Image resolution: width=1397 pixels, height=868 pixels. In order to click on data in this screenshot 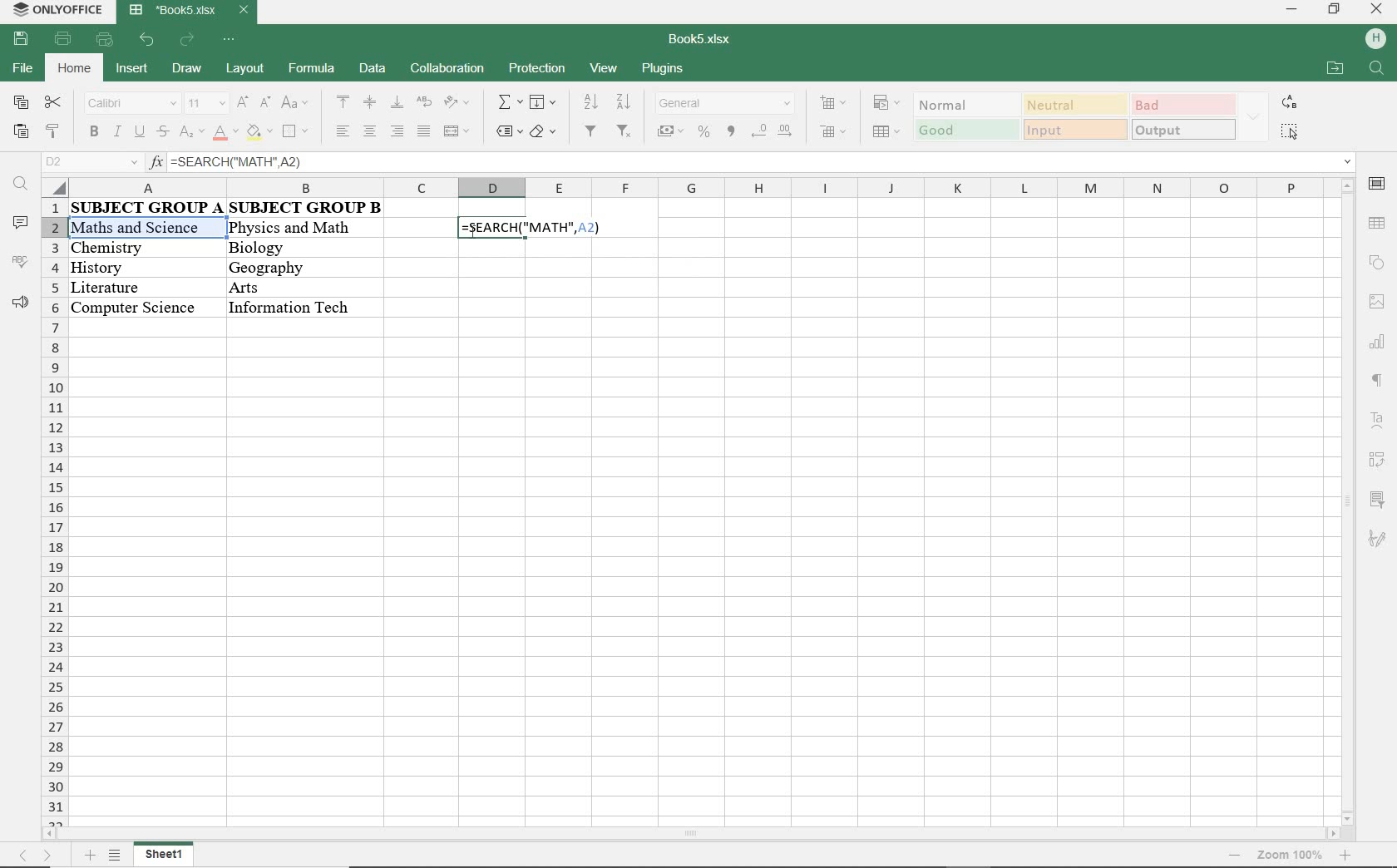, I will do `click(373, 67)`.